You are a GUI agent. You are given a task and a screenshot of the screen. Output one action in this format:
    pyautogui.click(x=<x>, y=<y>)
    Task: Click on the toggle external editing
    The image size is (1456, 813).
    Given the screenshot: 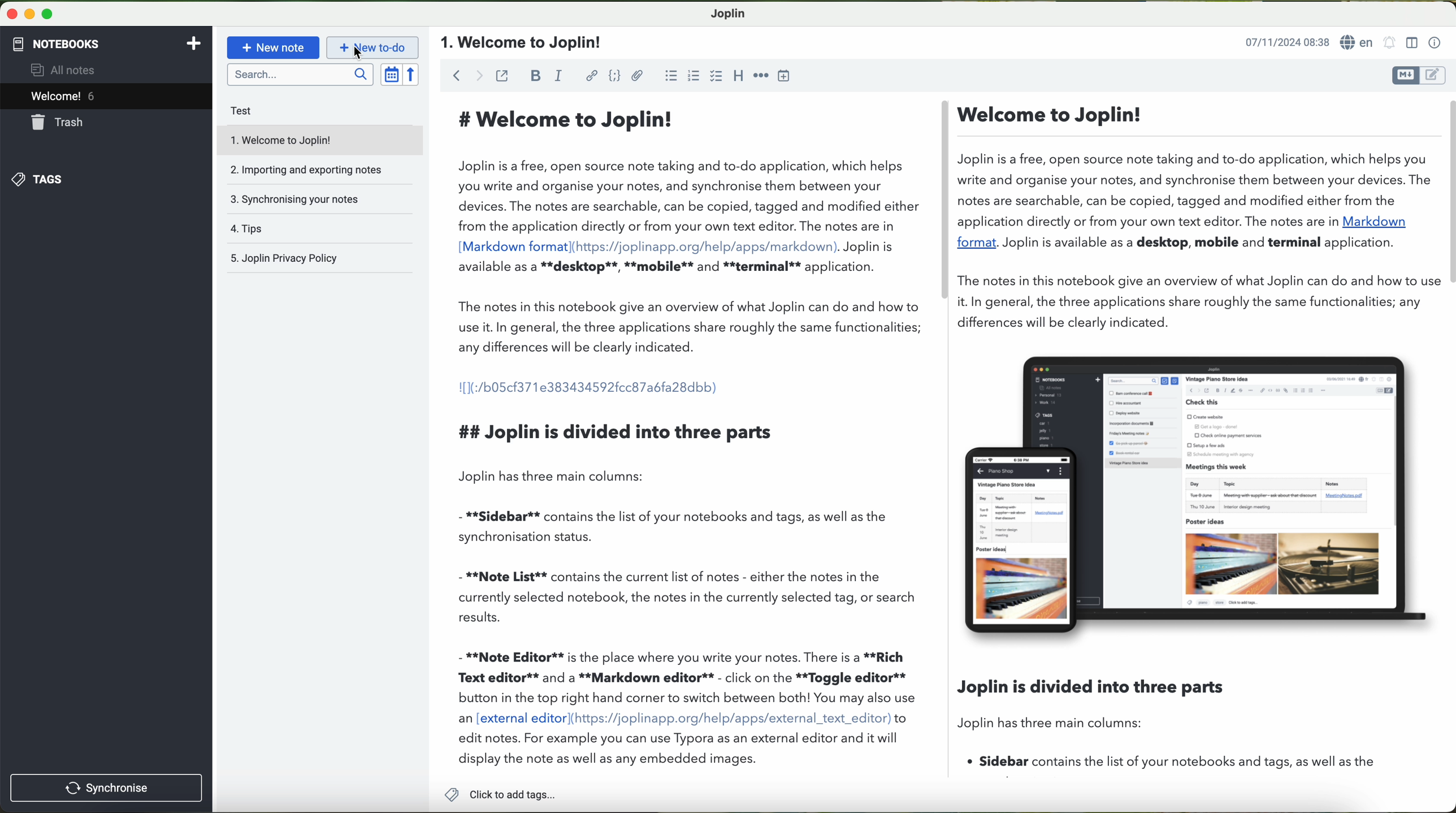 What is the action you would take?
    pyautogui.click(x=502, y=75)
    